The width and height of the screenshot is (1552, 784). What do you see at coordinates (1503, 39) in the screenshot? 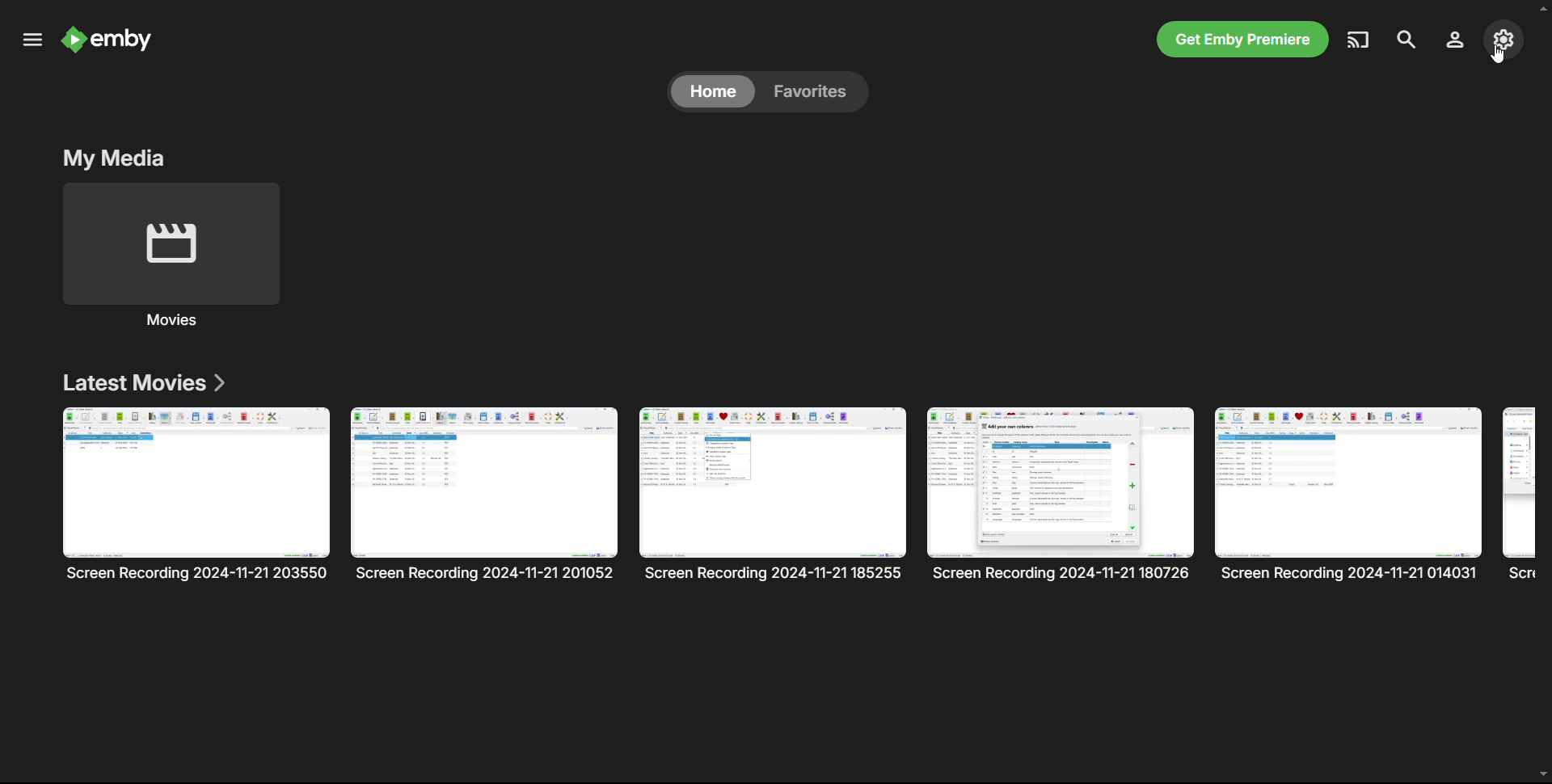
I see `settings` at bounding box center [1503, 39].